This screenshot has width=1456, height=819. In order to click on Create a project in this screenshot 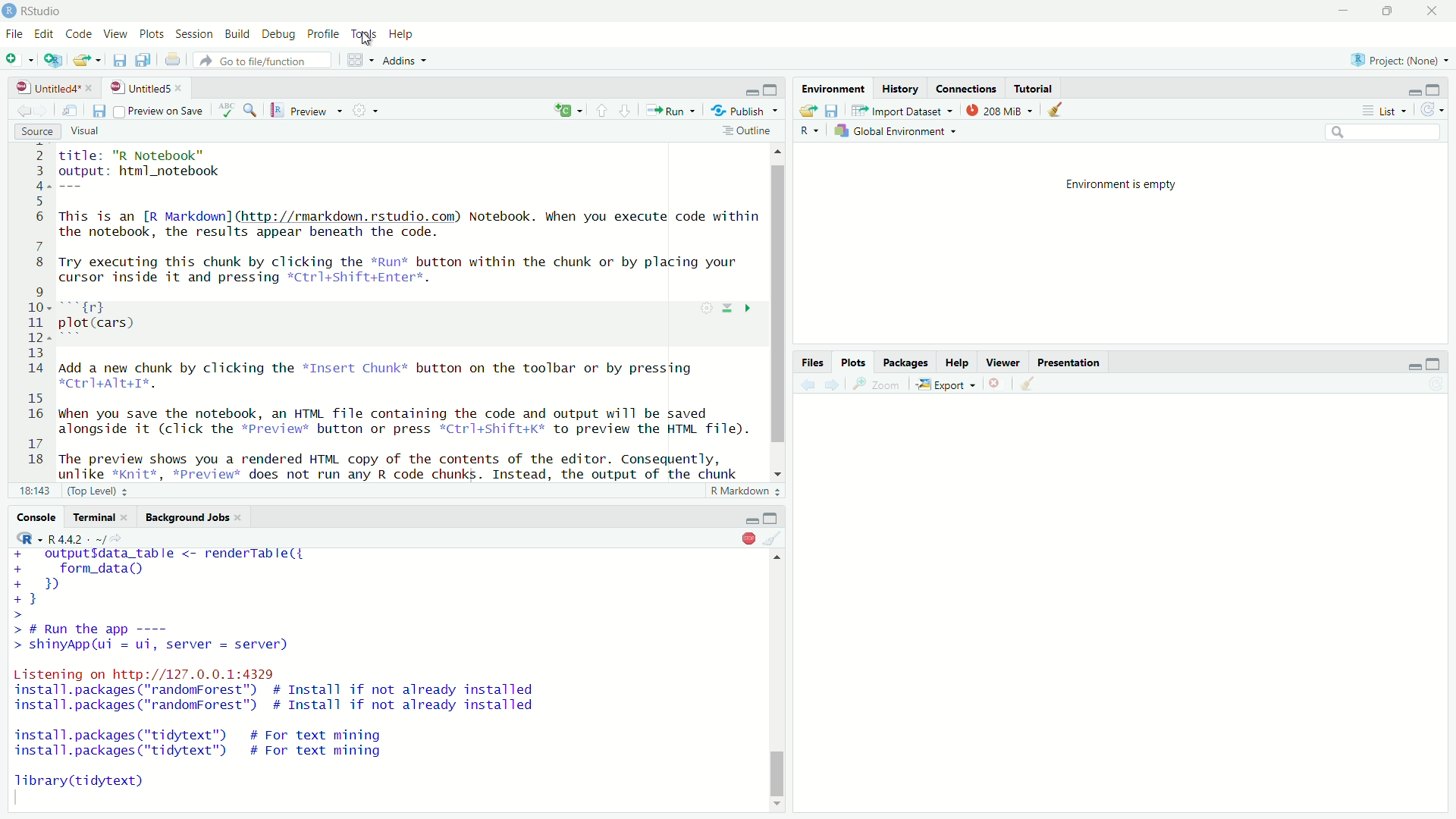, I will do `click(54, 59)`.